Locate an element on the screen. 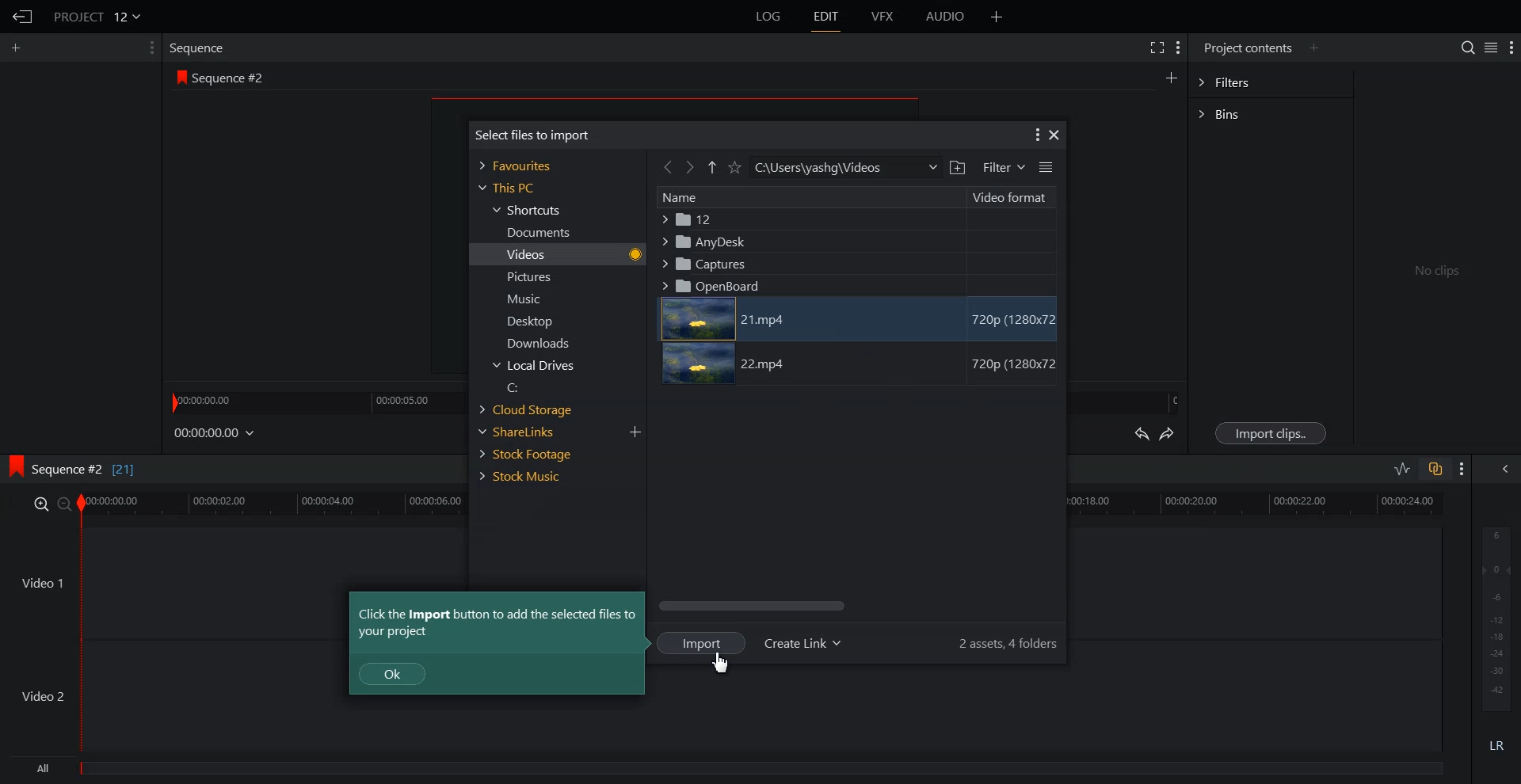 The width and height of the screenshot is (1521, 784). Zoom In and Out is located at coordinates (52, 504).